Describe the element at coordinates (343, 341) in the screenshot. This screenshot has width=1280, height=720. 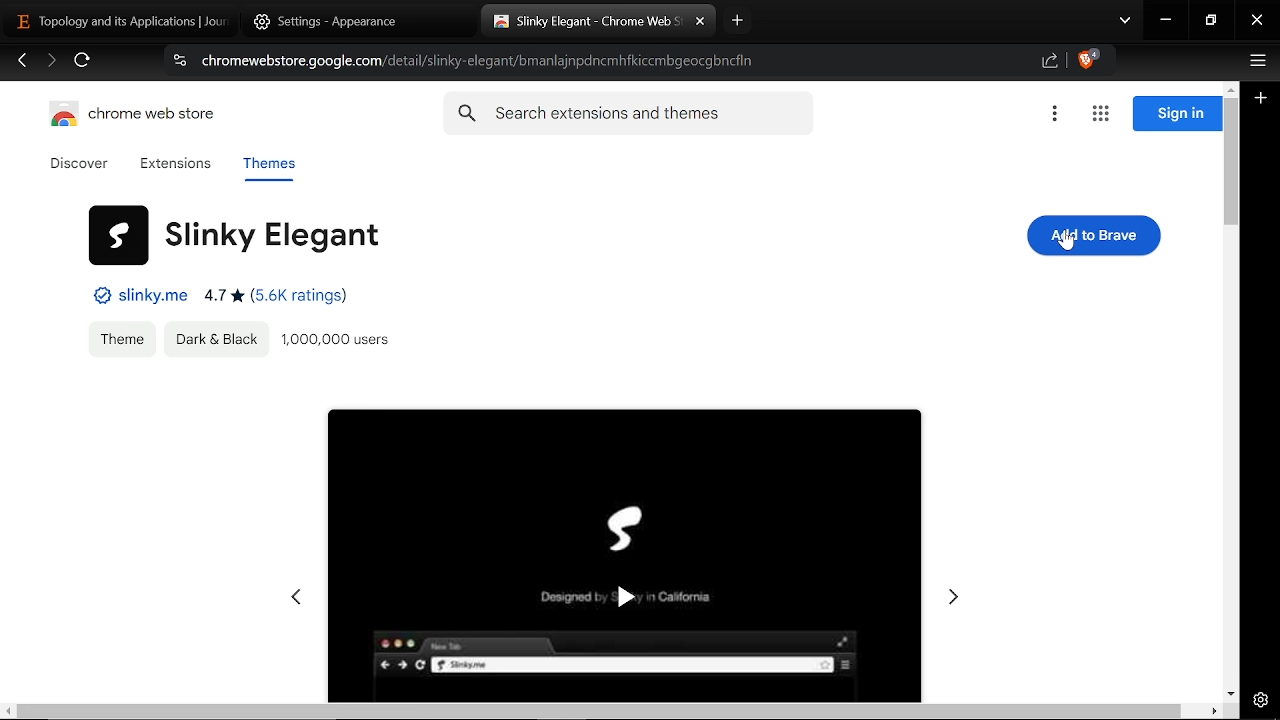
I see `Users` at that location.